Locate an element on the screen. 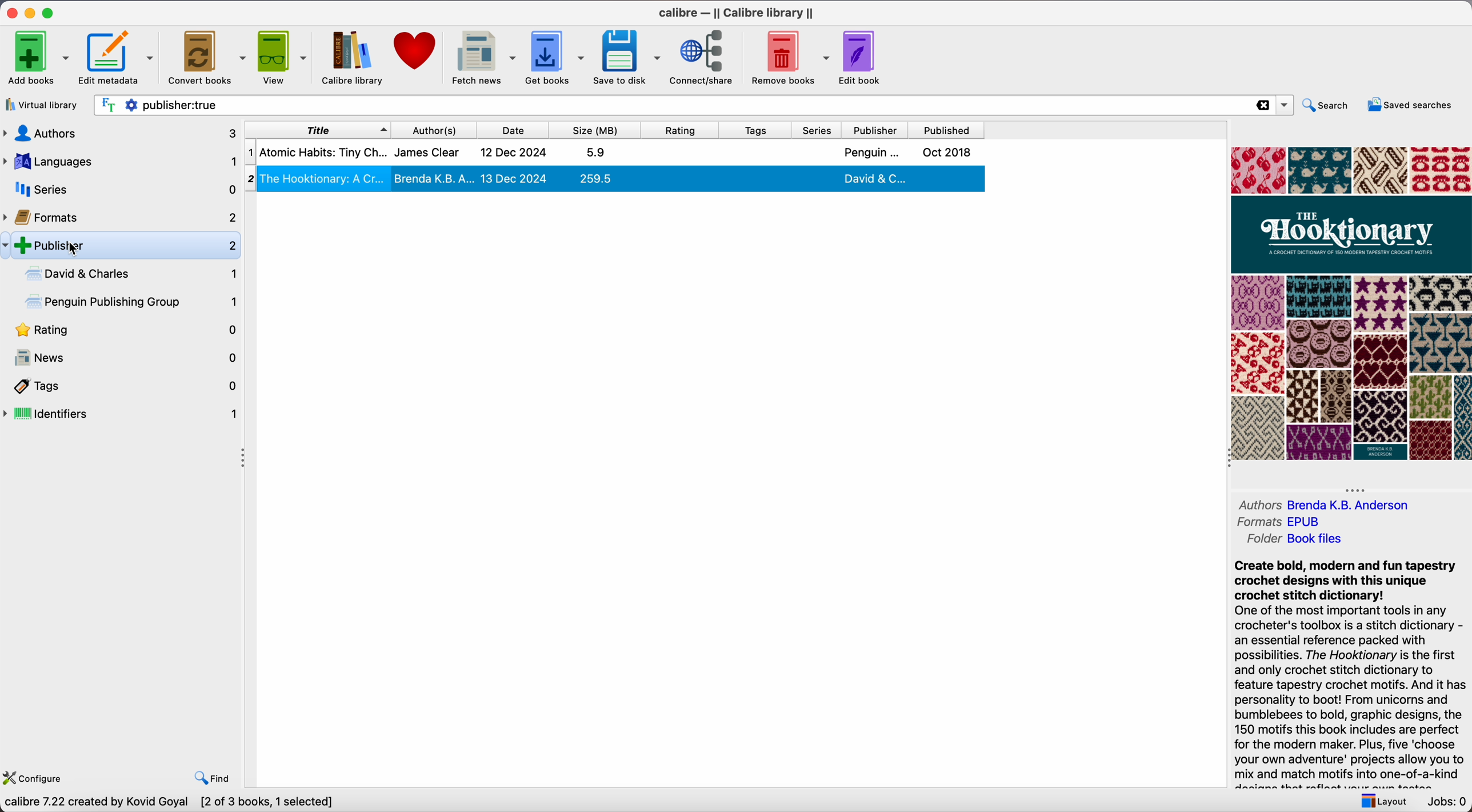  atomic habits is located at coordinates (613, 153).